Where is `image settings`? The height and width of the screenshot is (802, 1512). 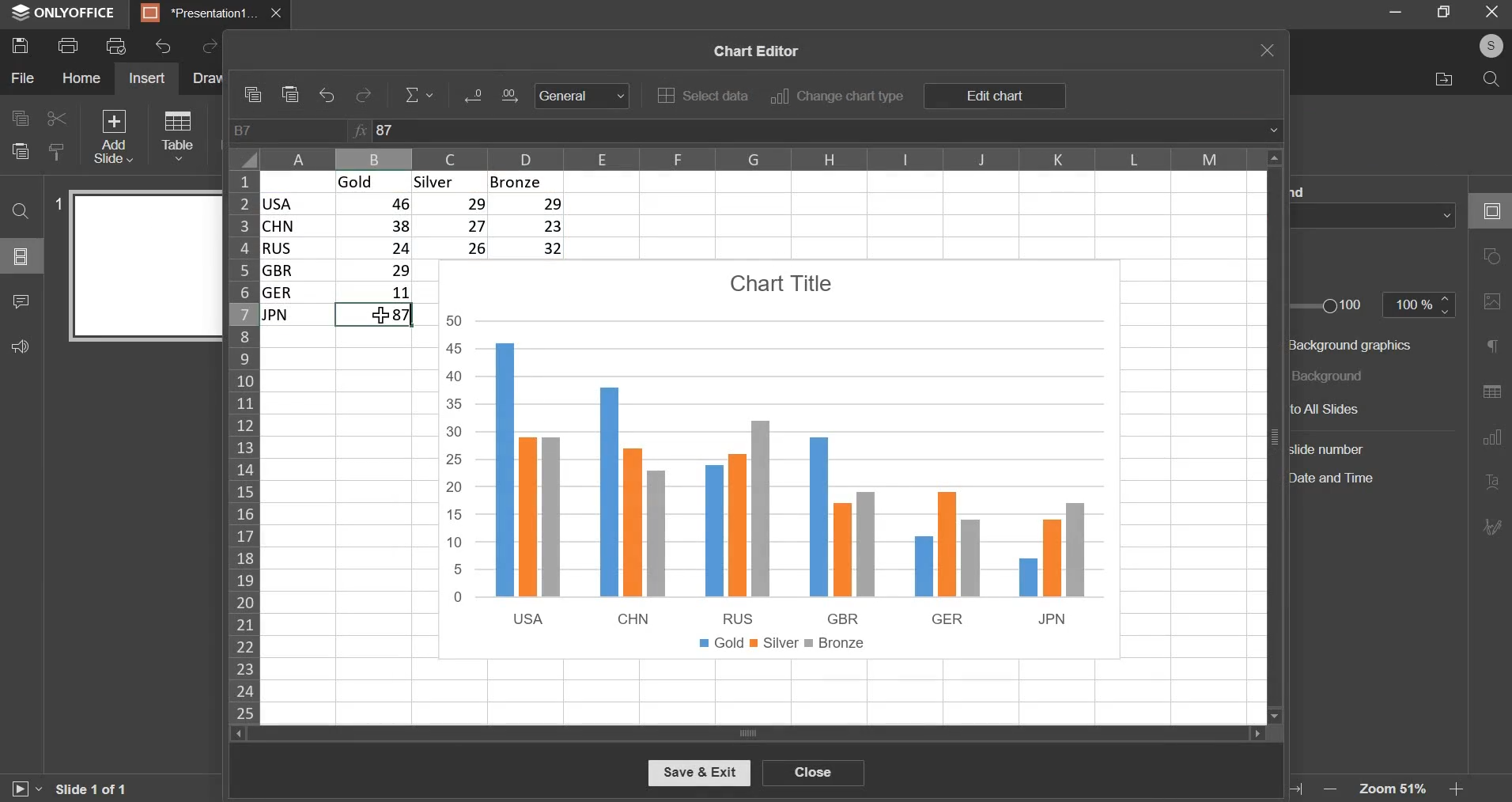
image settings is located at coordinates (1491, 305).